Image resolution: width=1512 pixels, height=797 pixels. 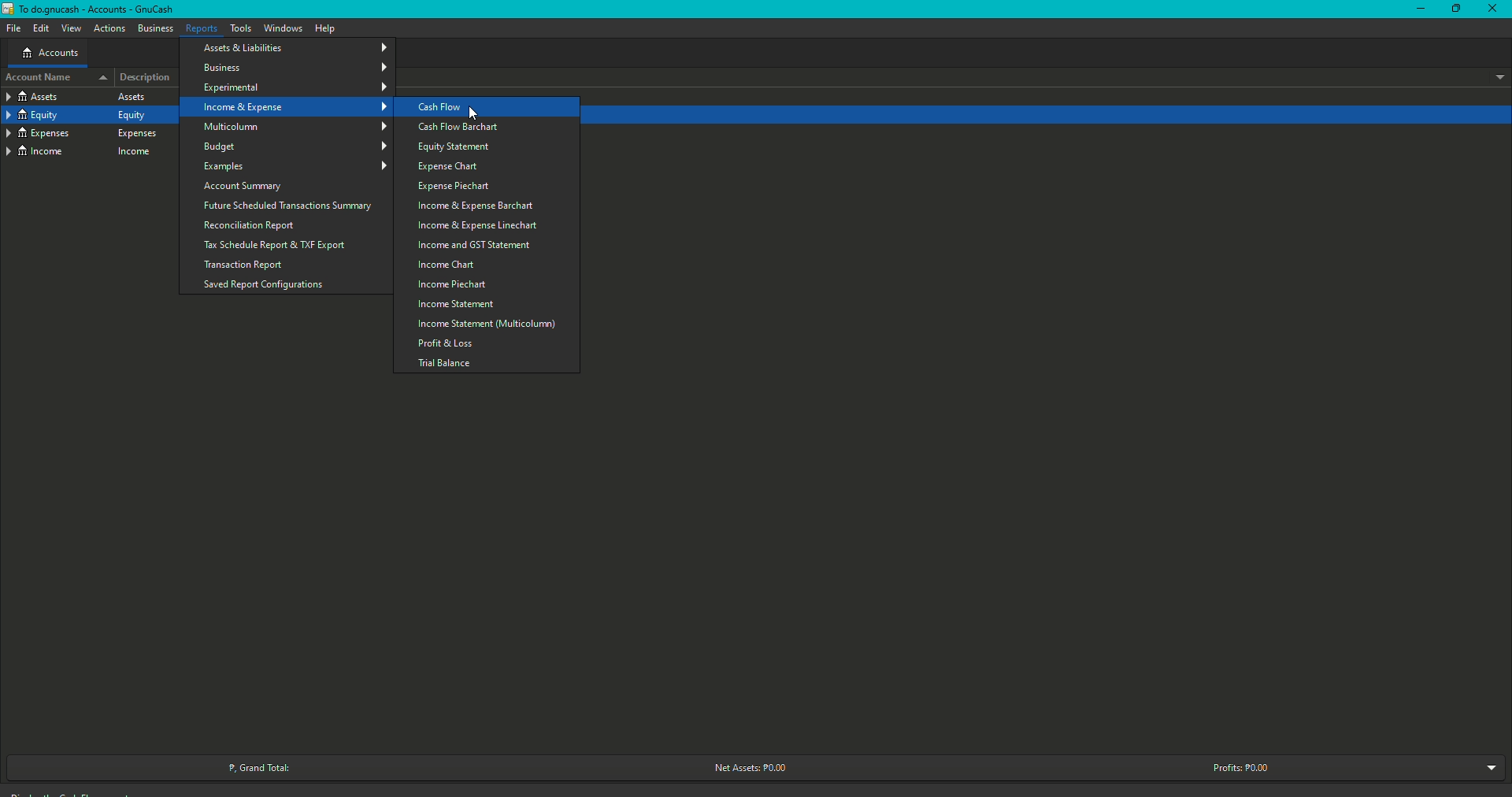 I want to click on Trial balance, so click(x=445, y=362).